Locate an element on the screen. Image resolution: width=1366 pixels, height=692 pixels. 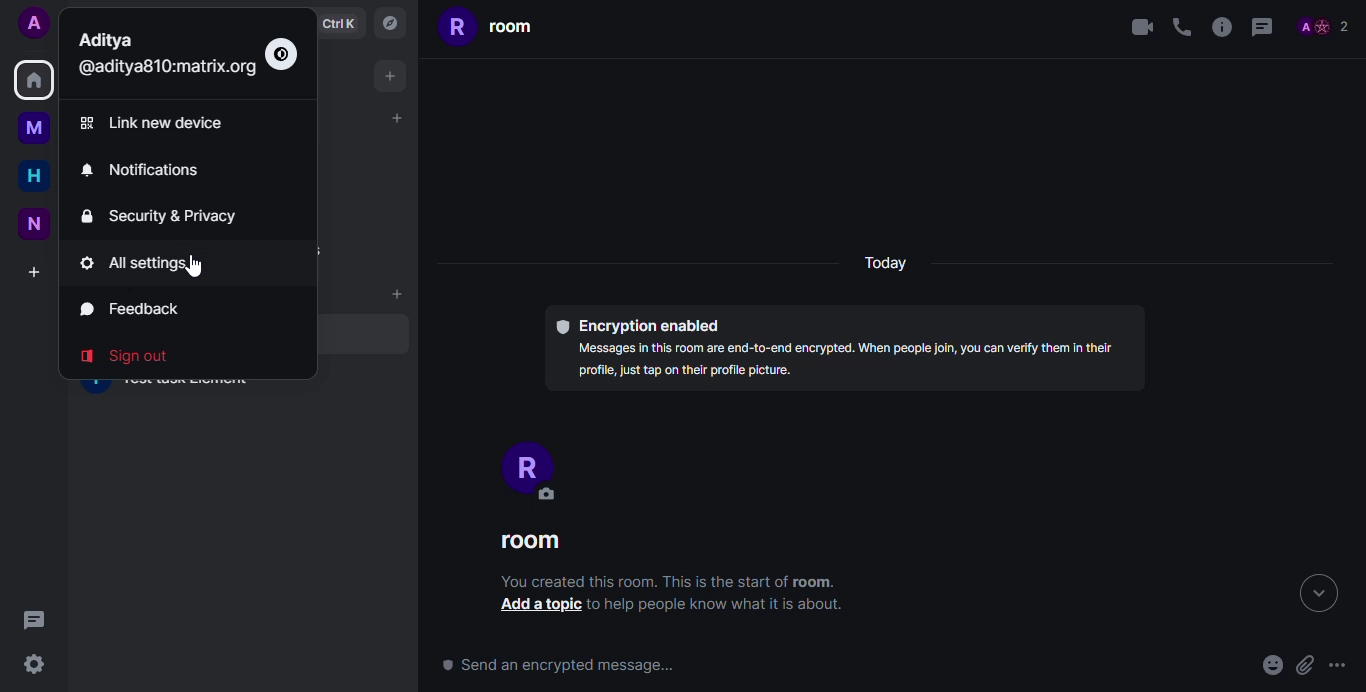
all settings is located at coordinates (143, 265).